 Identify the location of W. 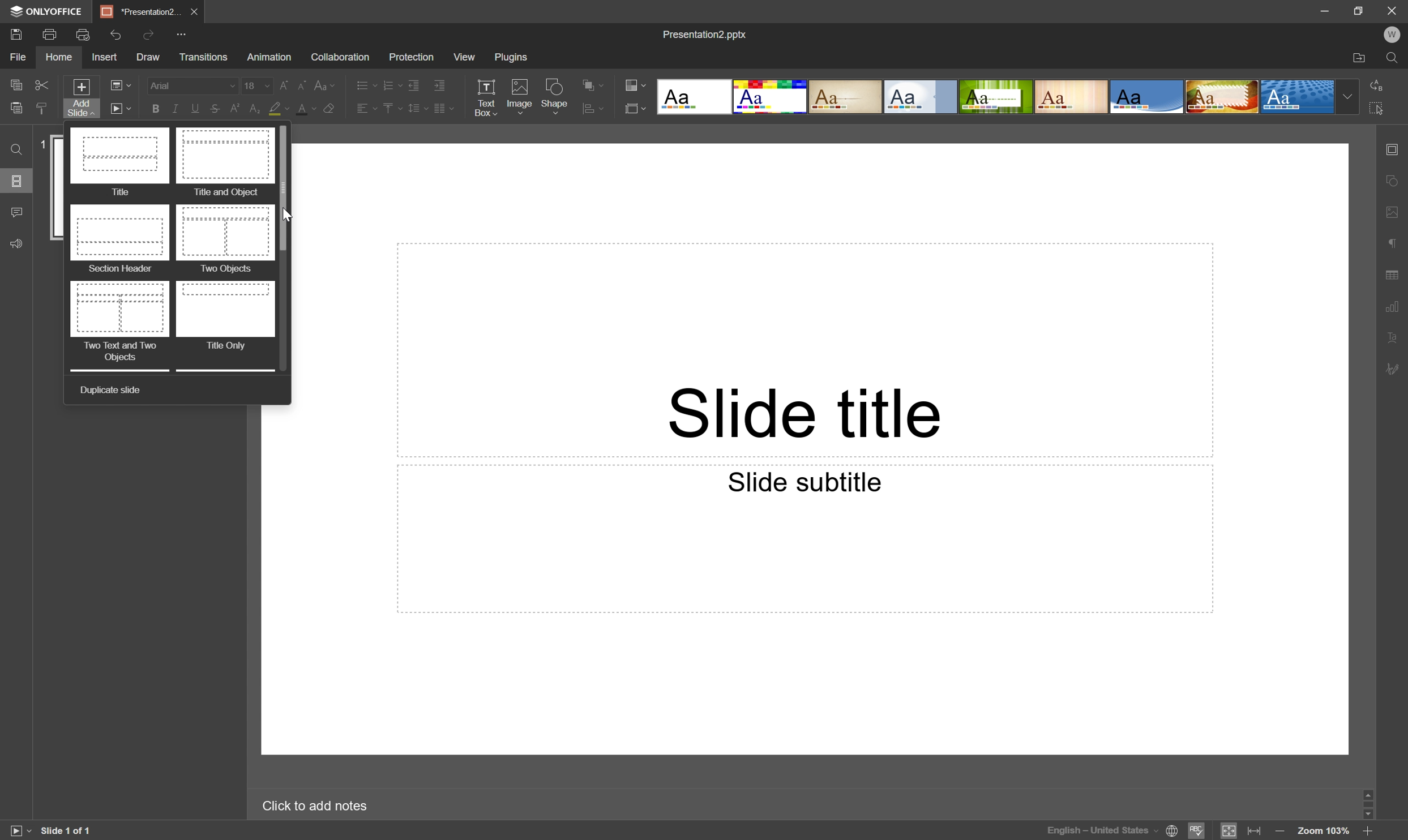
(1391, 32).